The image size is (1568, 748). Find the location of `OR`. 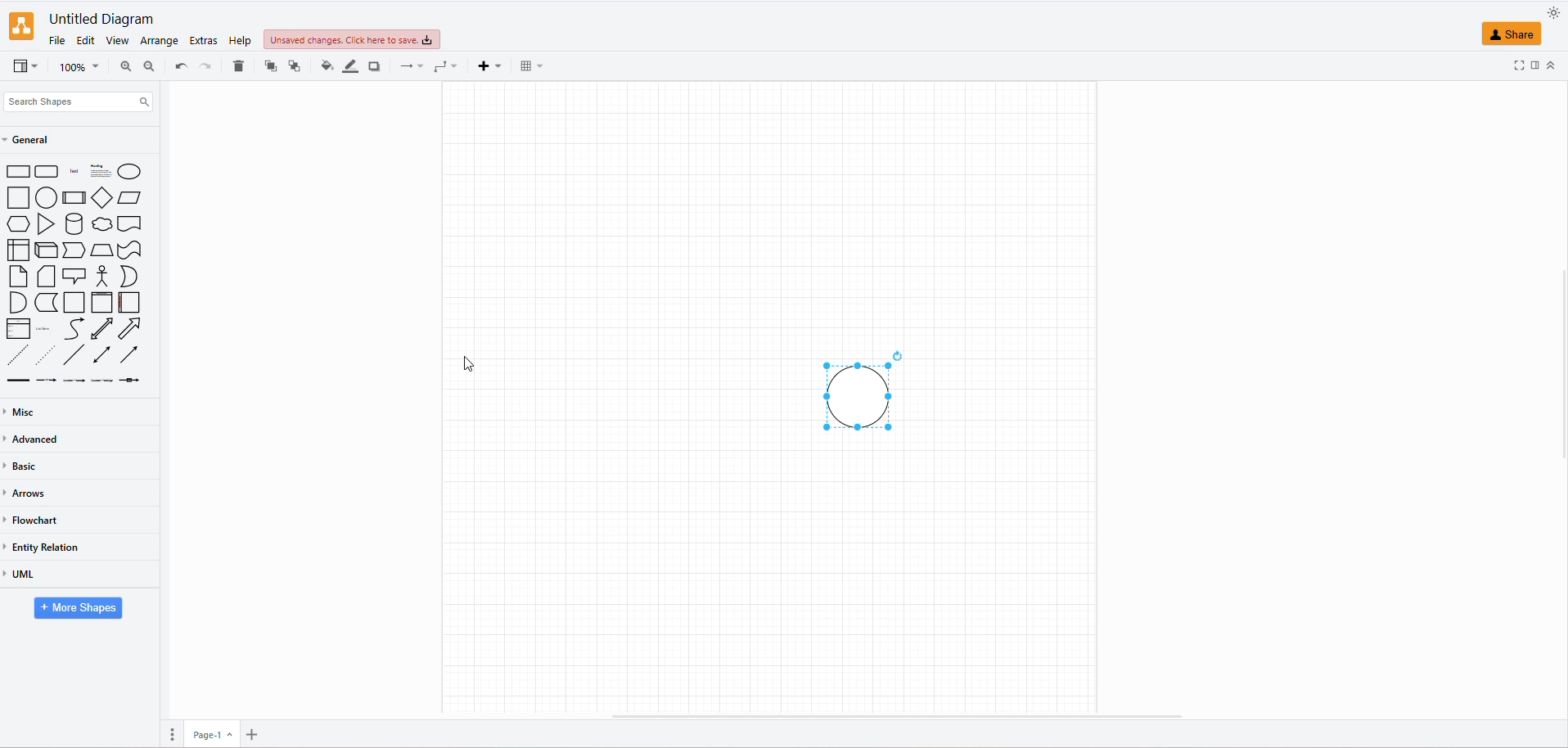

OR is located at coordinates (125, 276).